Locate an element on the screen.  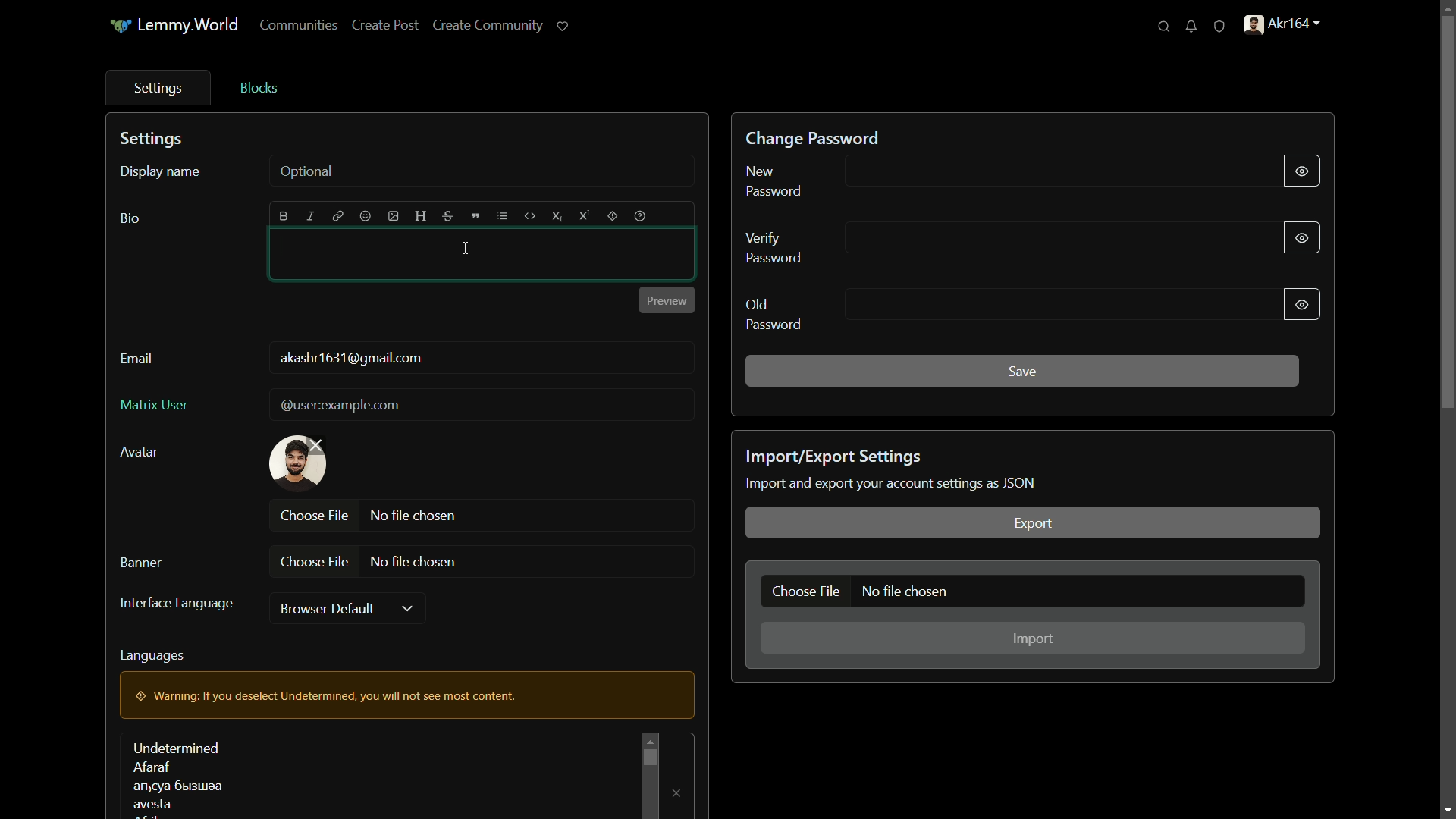
avatar is located at coordinates (138, 452).